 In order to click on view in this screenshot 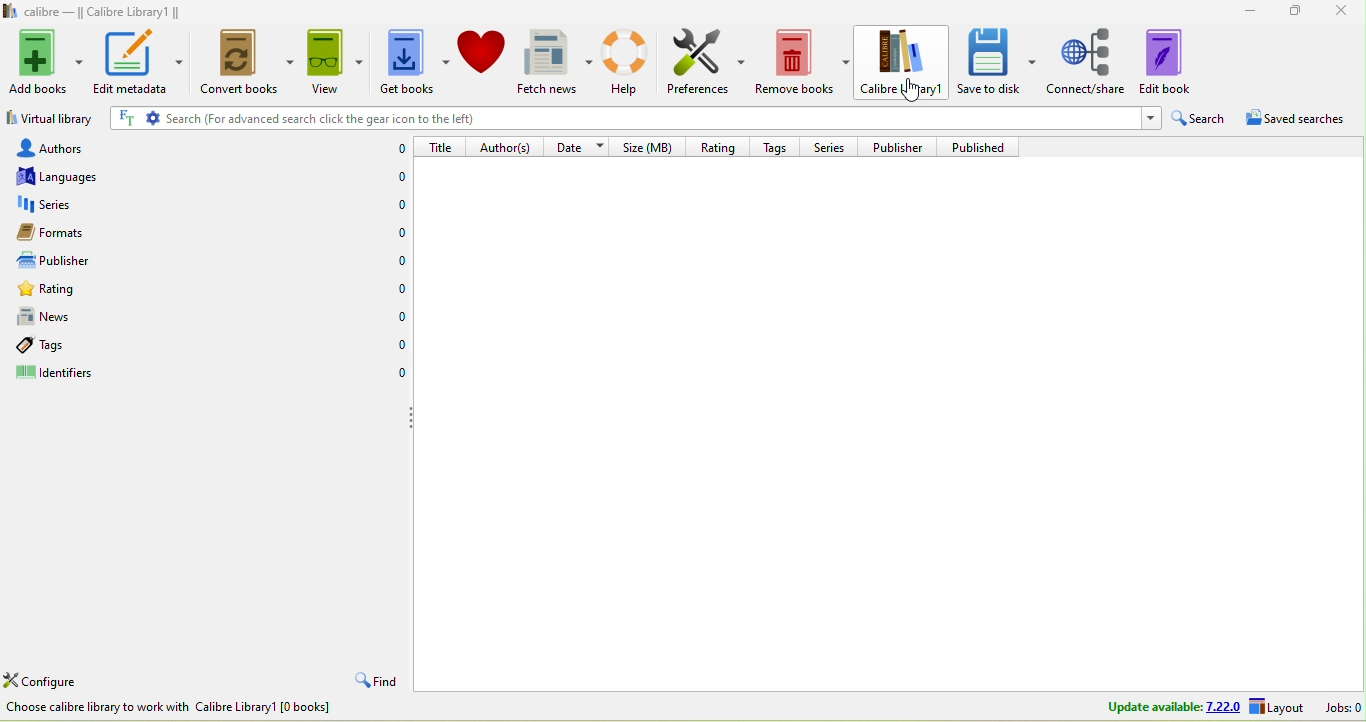, I will do `click(333, 61)`.